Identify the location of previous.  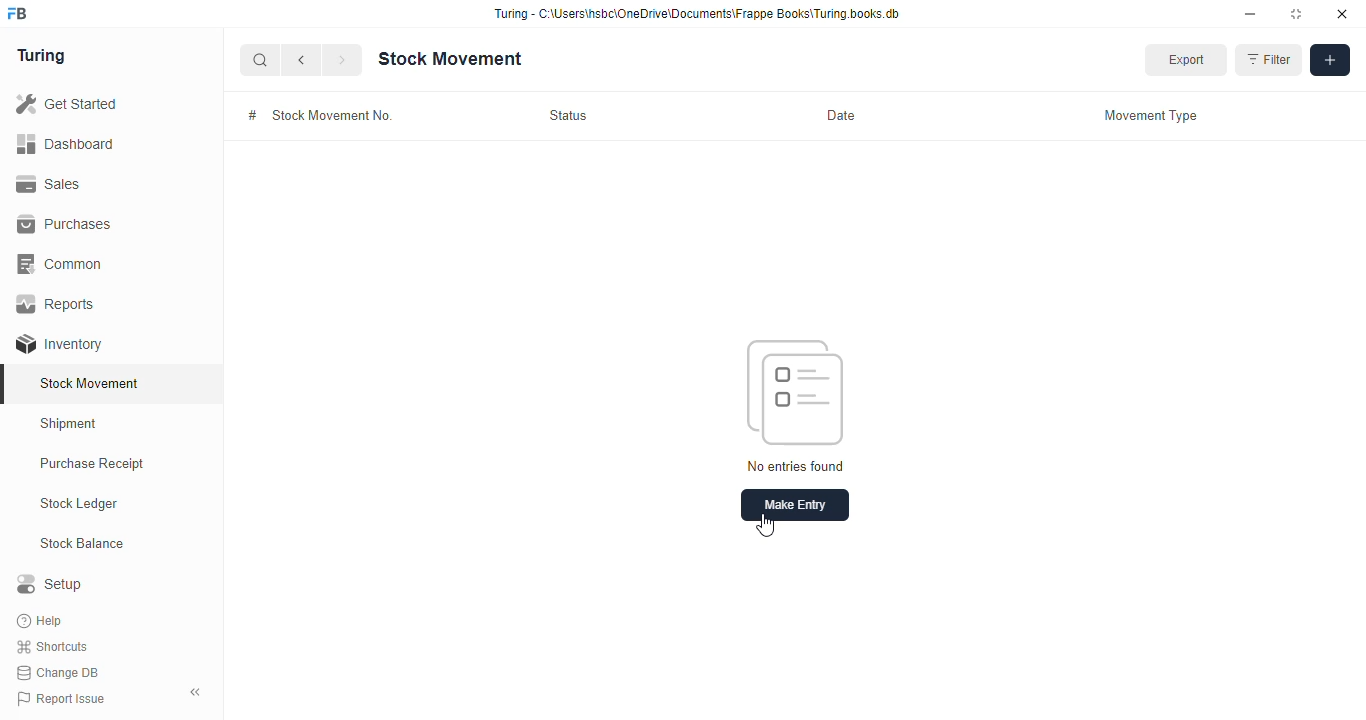
(302, 60).